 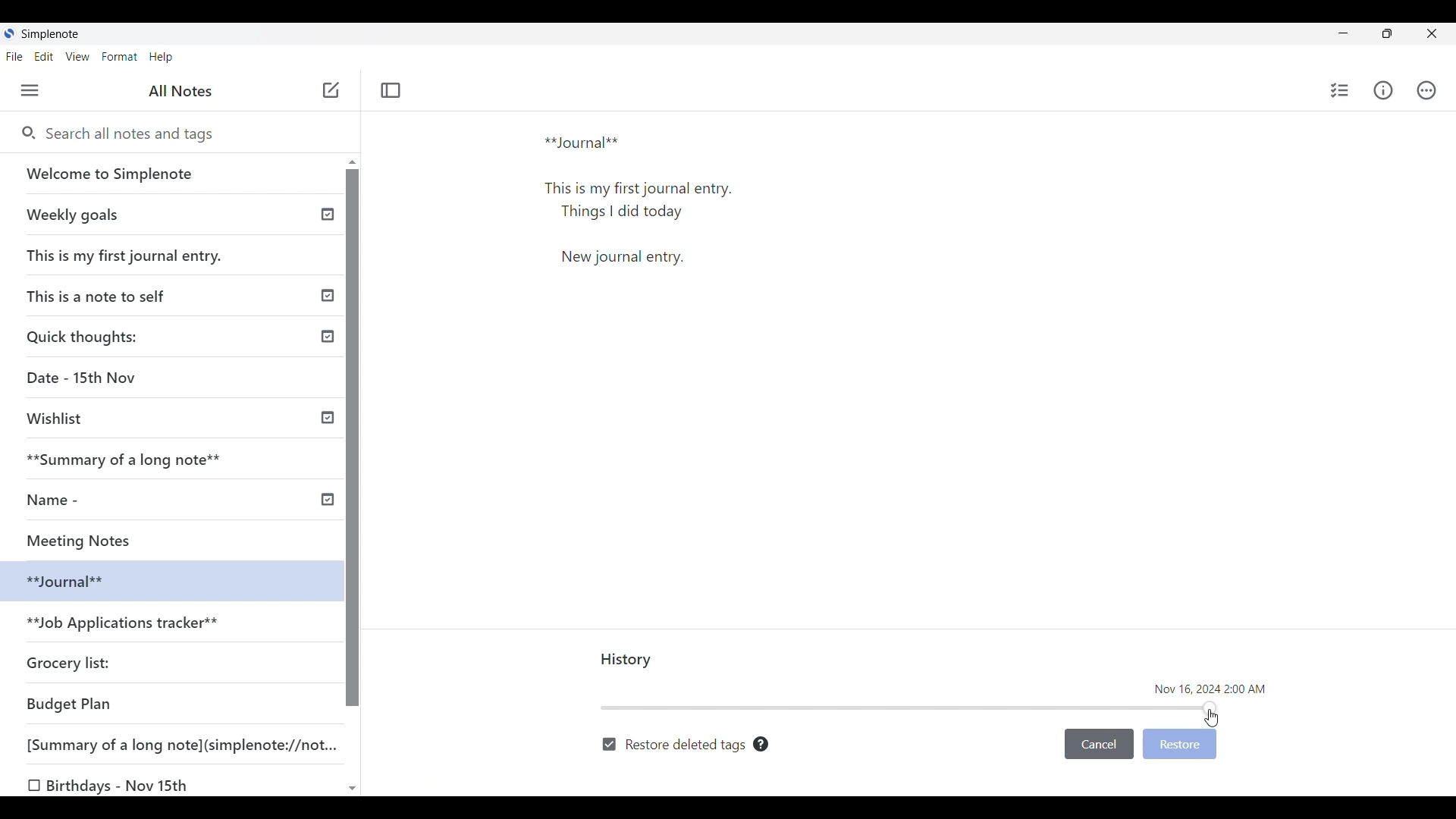 What do you see at coordinates (1343, 33) in the screenshot?
I see `Minimize` at bounding box center [1343, 33].